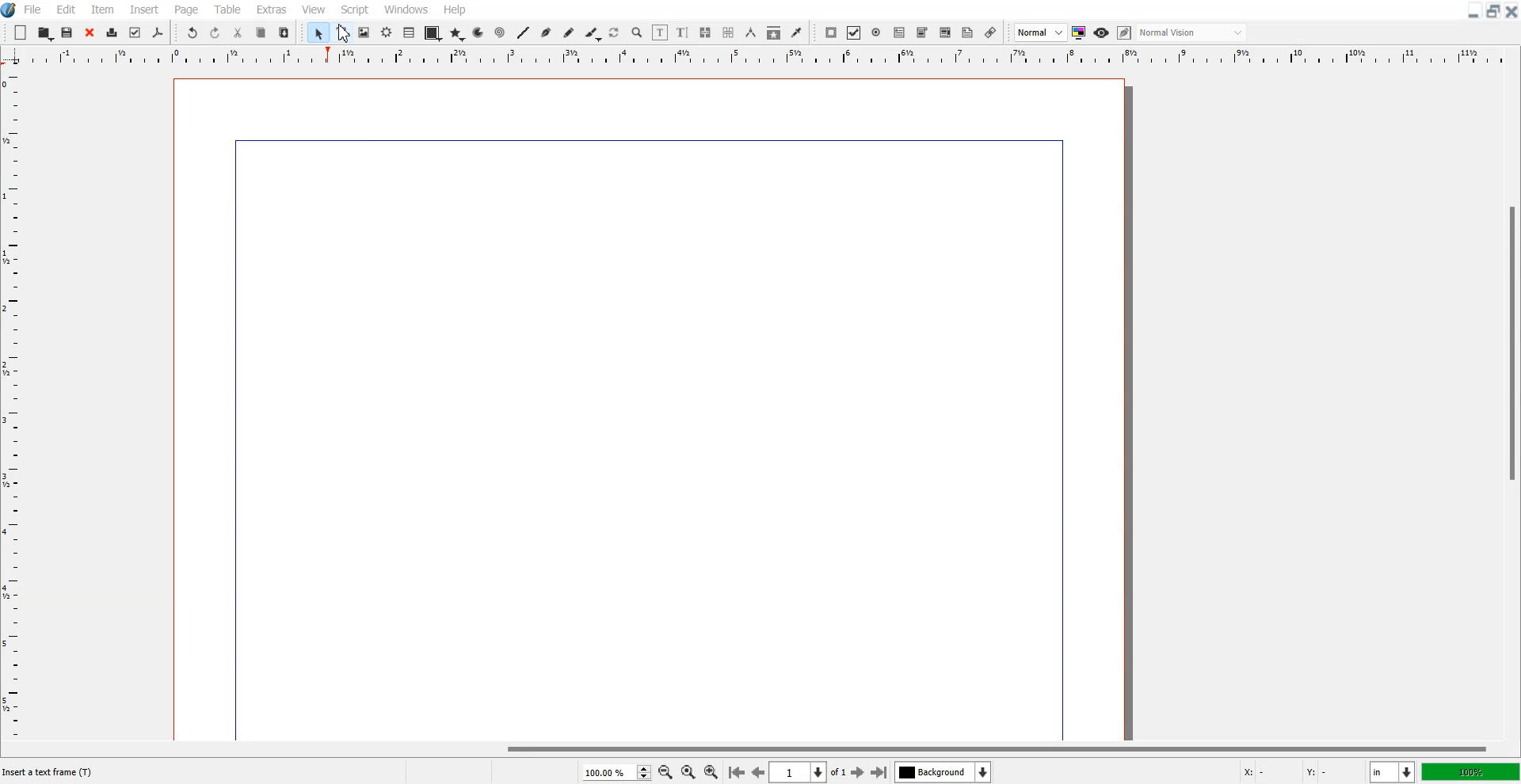 Image resolution: width=1521 pixels, height=784 pixels. What do you see at coordinates (1511, 404) in the screenshot?
I see `Vertical Scroll bar` at bounding box center [1511, 404].